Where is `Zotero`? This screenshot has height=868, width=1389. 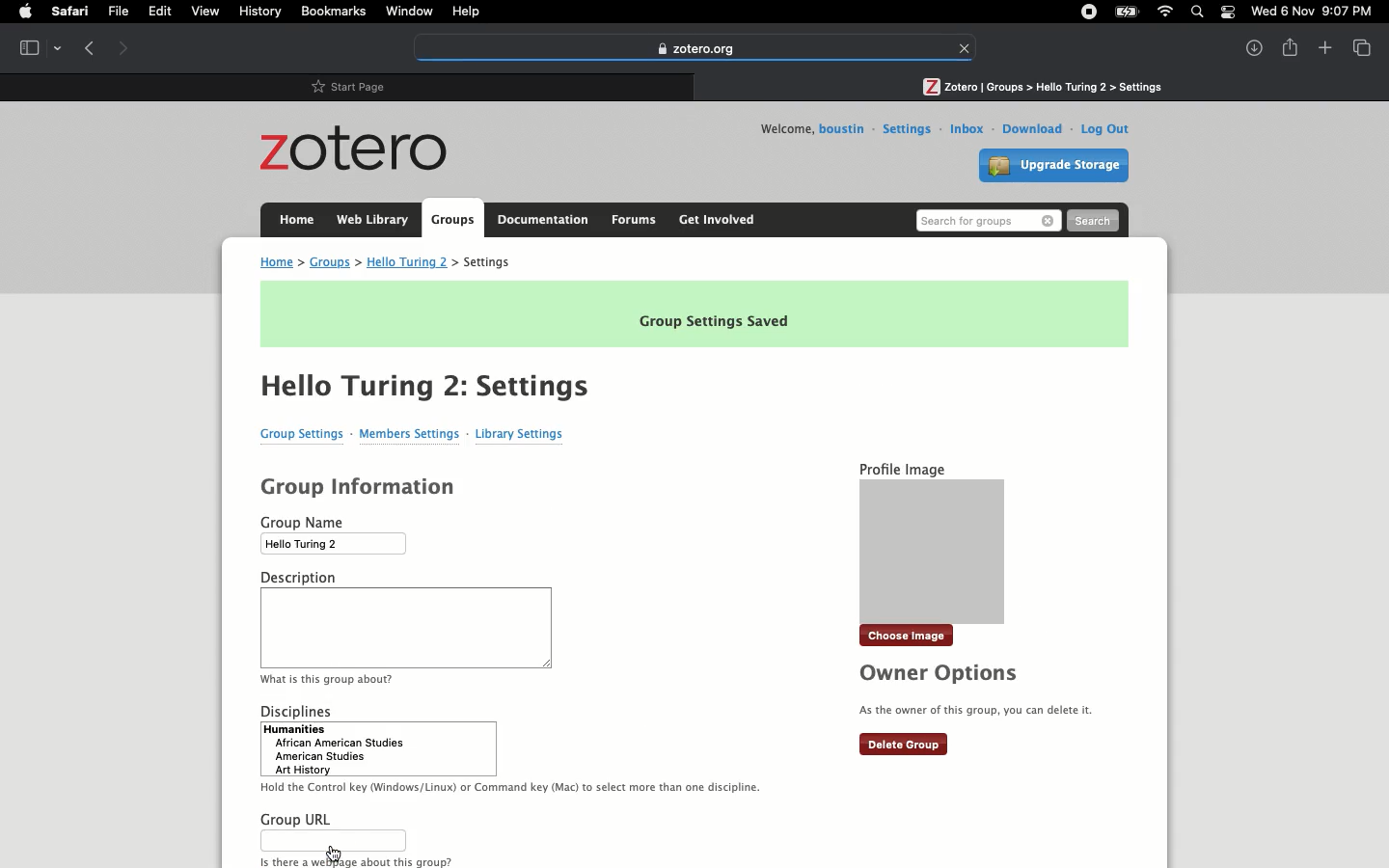
Zotero is located at coordinates (360, 150).